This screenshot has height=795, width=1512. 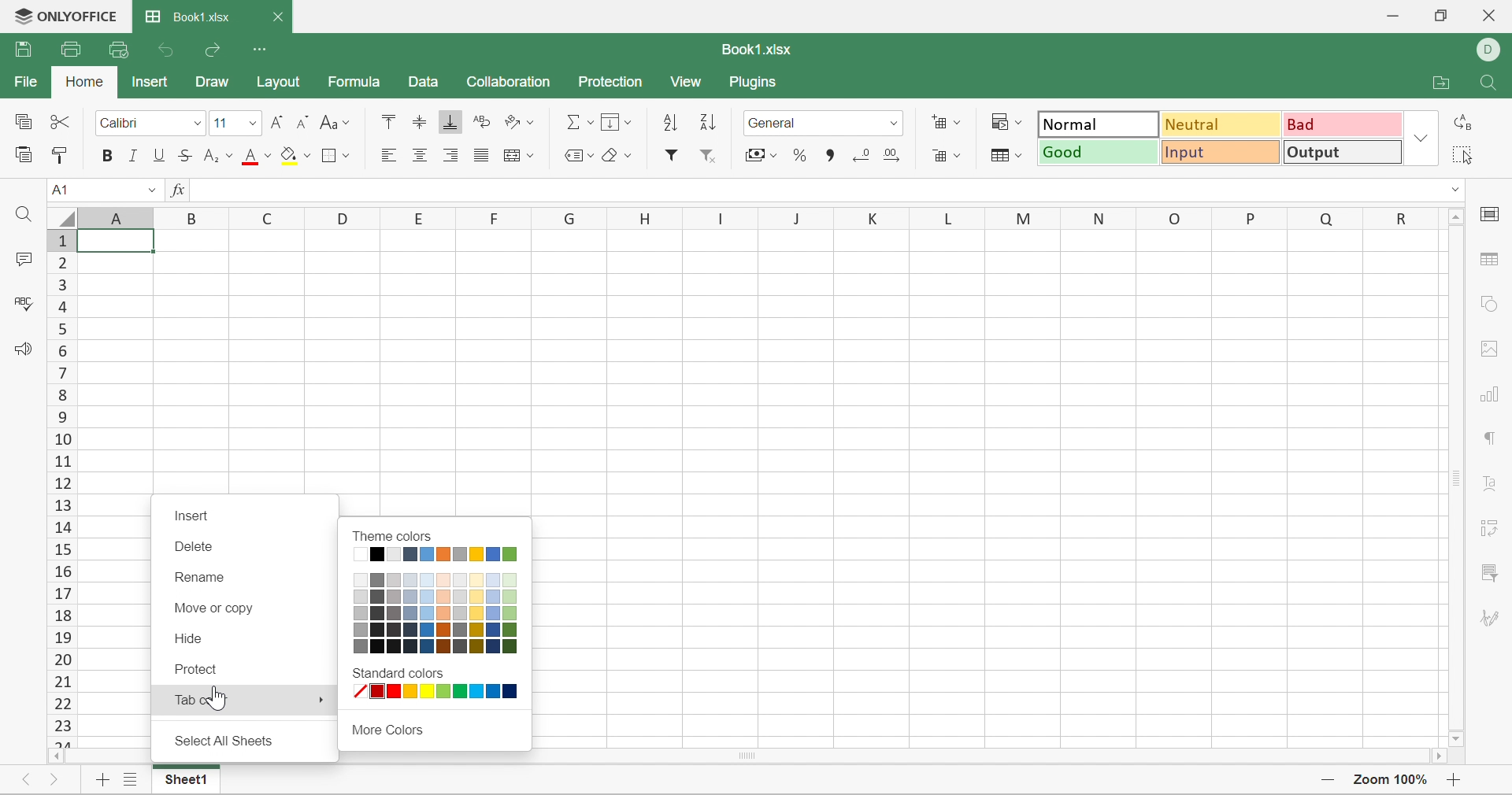 I want to click on Find, so click(x=1490, y=83).